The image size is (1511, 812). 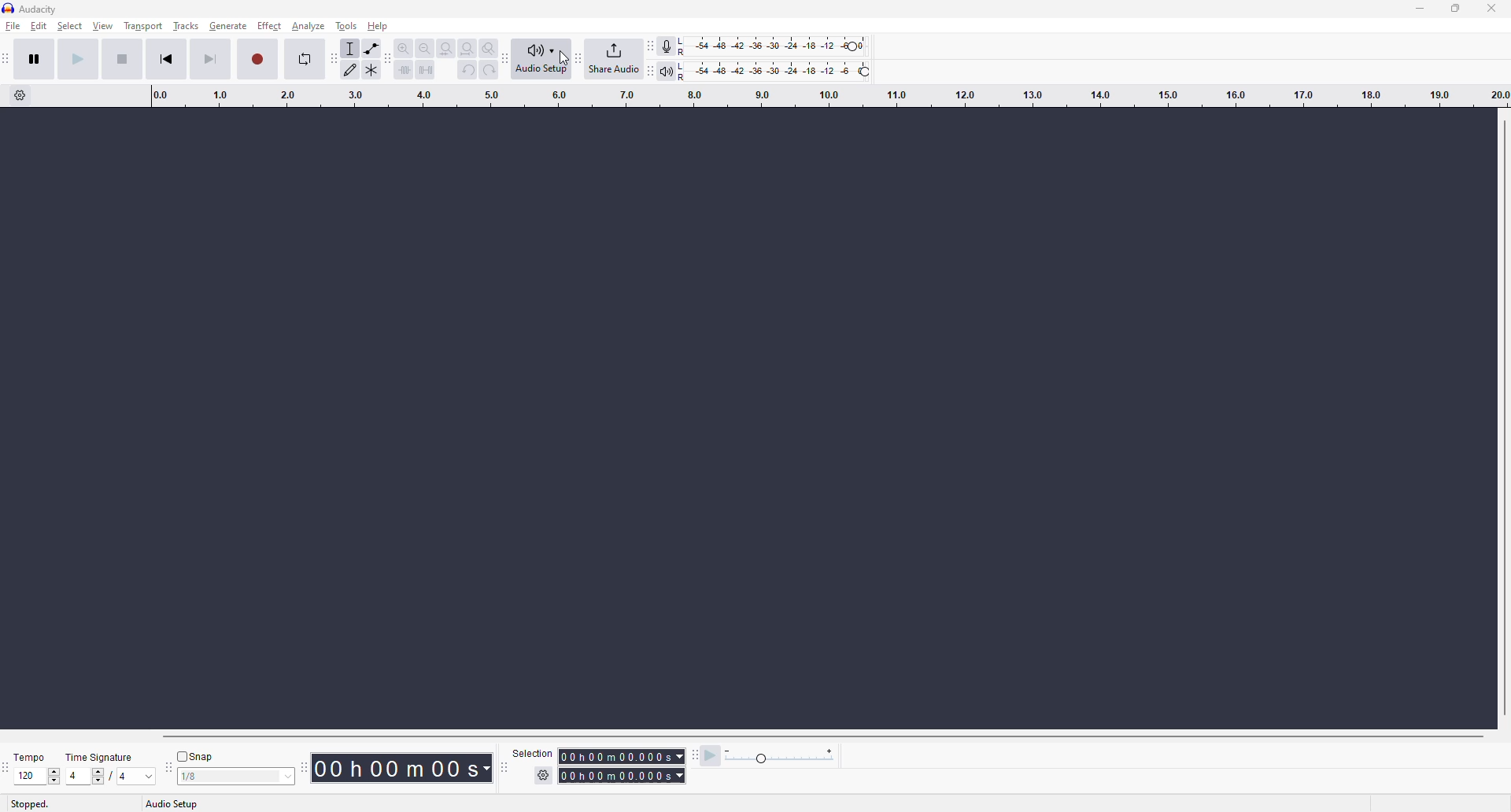 I want to click on audacity transport toolbar, so click(x=7, y=57).